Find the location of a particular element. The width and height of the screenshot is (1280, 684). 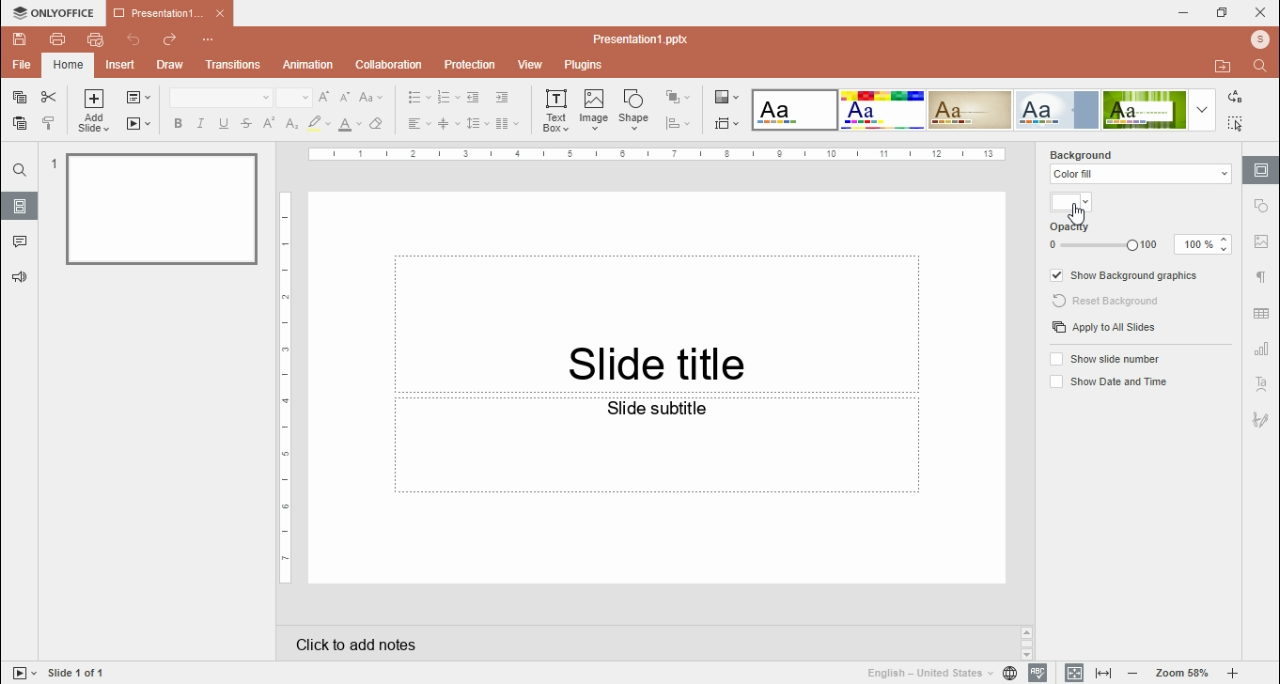

undo is located at coordinates (135, 40).